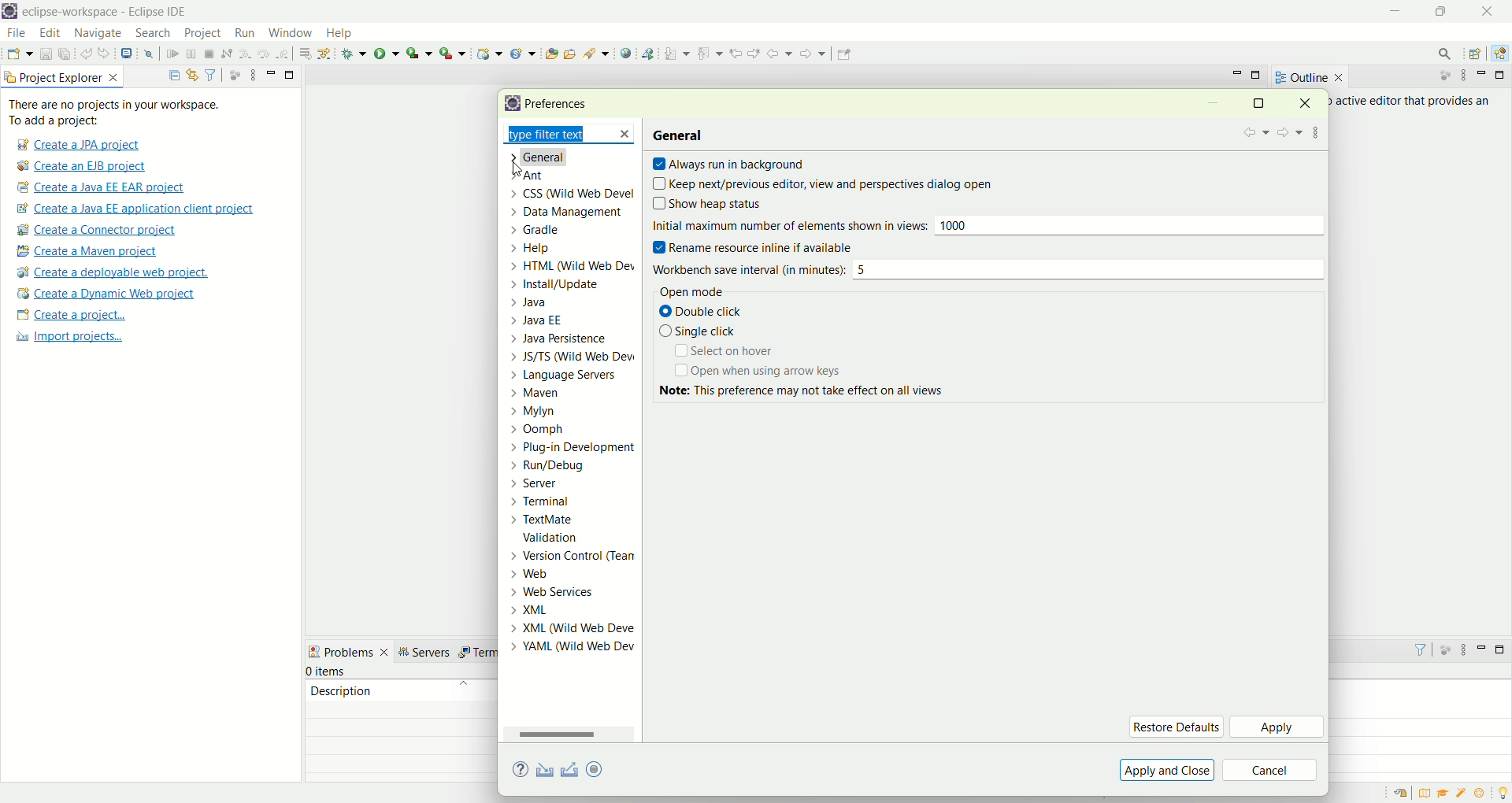  What do you see at coordinates (629, 135) in the screenshot?
I see `close` at bounding box center [629, 135].